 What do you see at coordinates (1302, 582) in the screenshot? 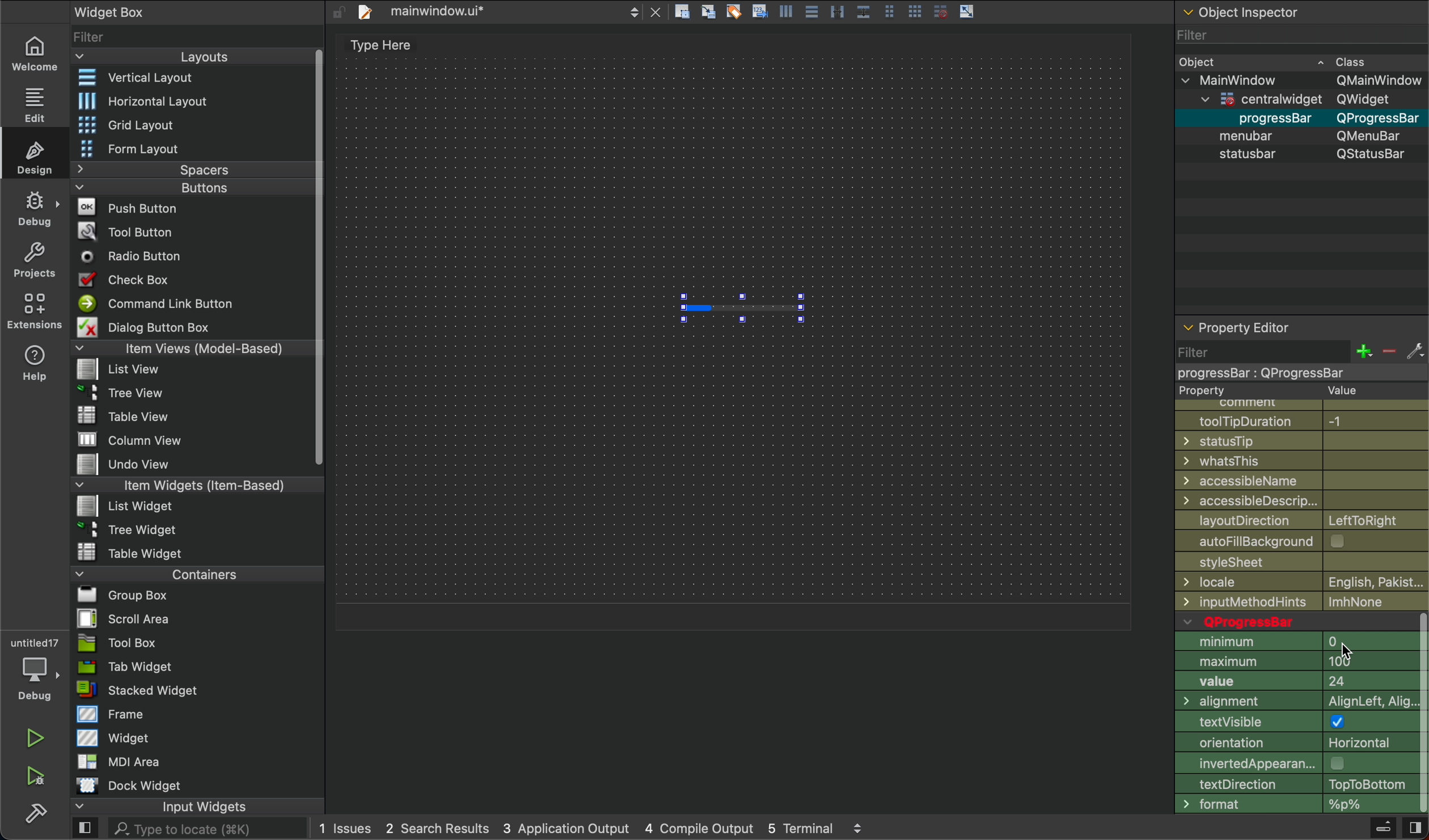
I see `locale` at bounding box center [1302, 582].